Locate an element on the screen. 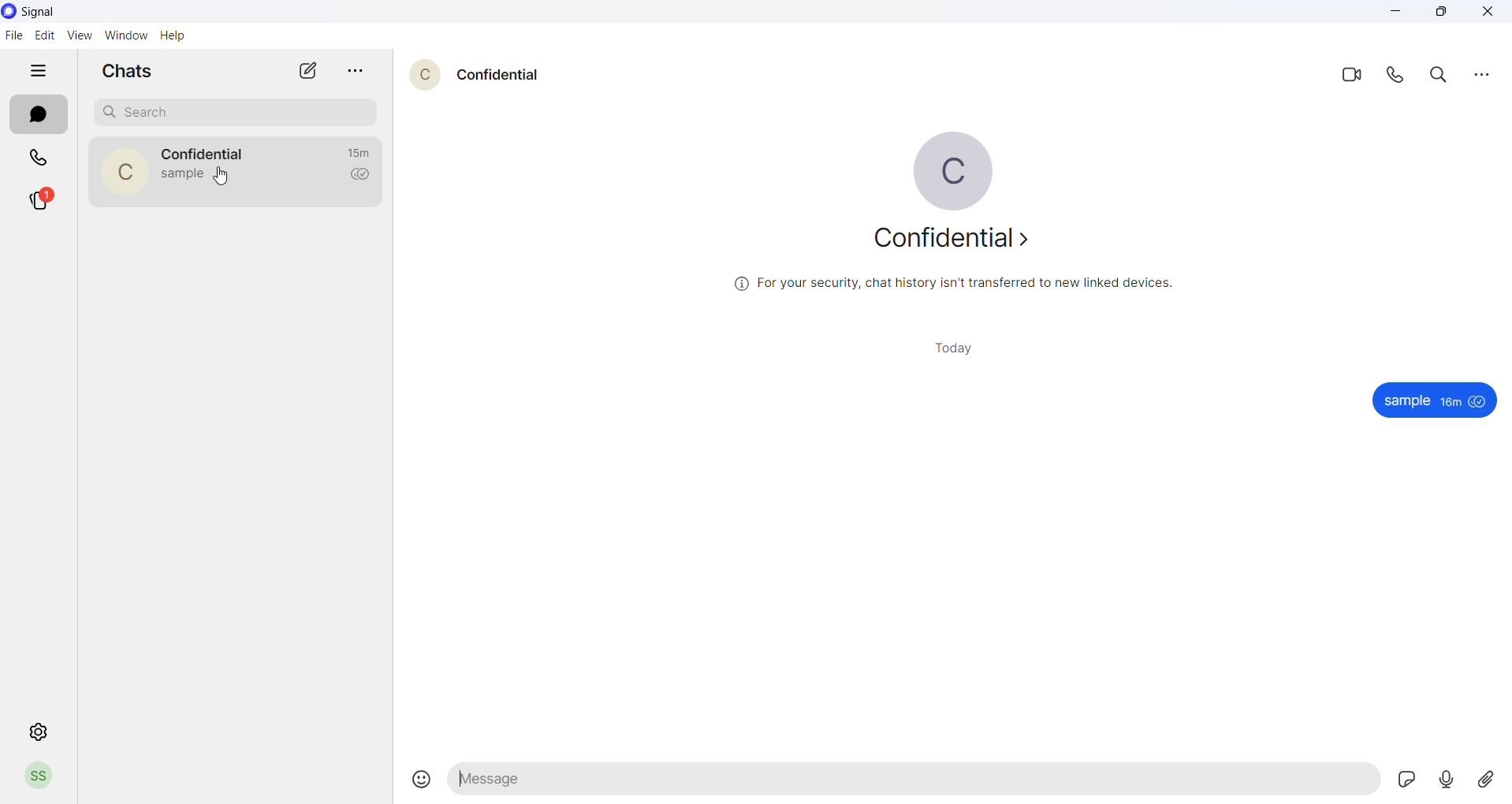 The width and height of the screenshot is (1512, 804). help is located at coordinates (177, 35).